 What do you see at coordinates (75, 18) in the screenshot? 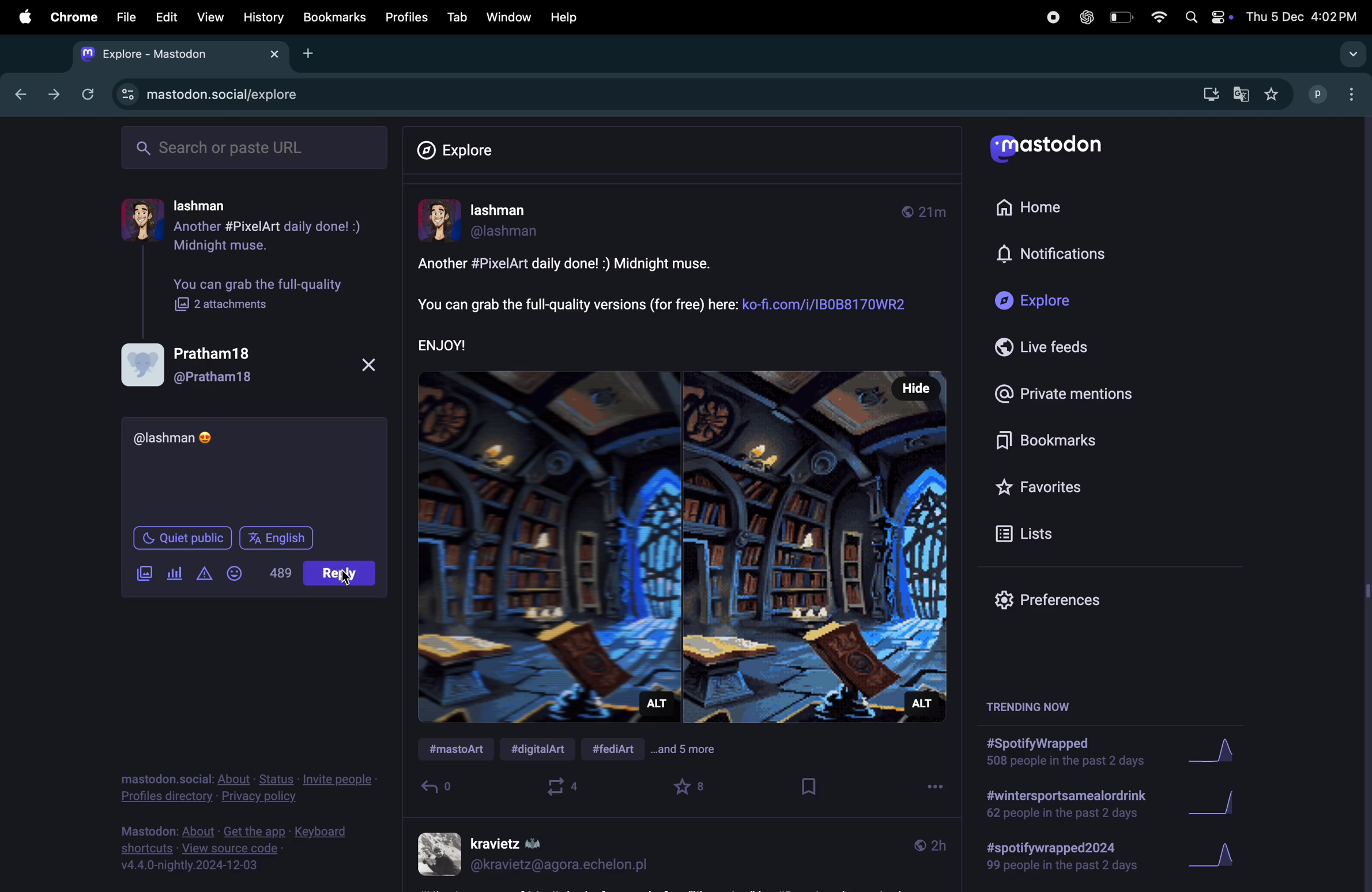
I see `chrome` at bounding box center [75, 18].